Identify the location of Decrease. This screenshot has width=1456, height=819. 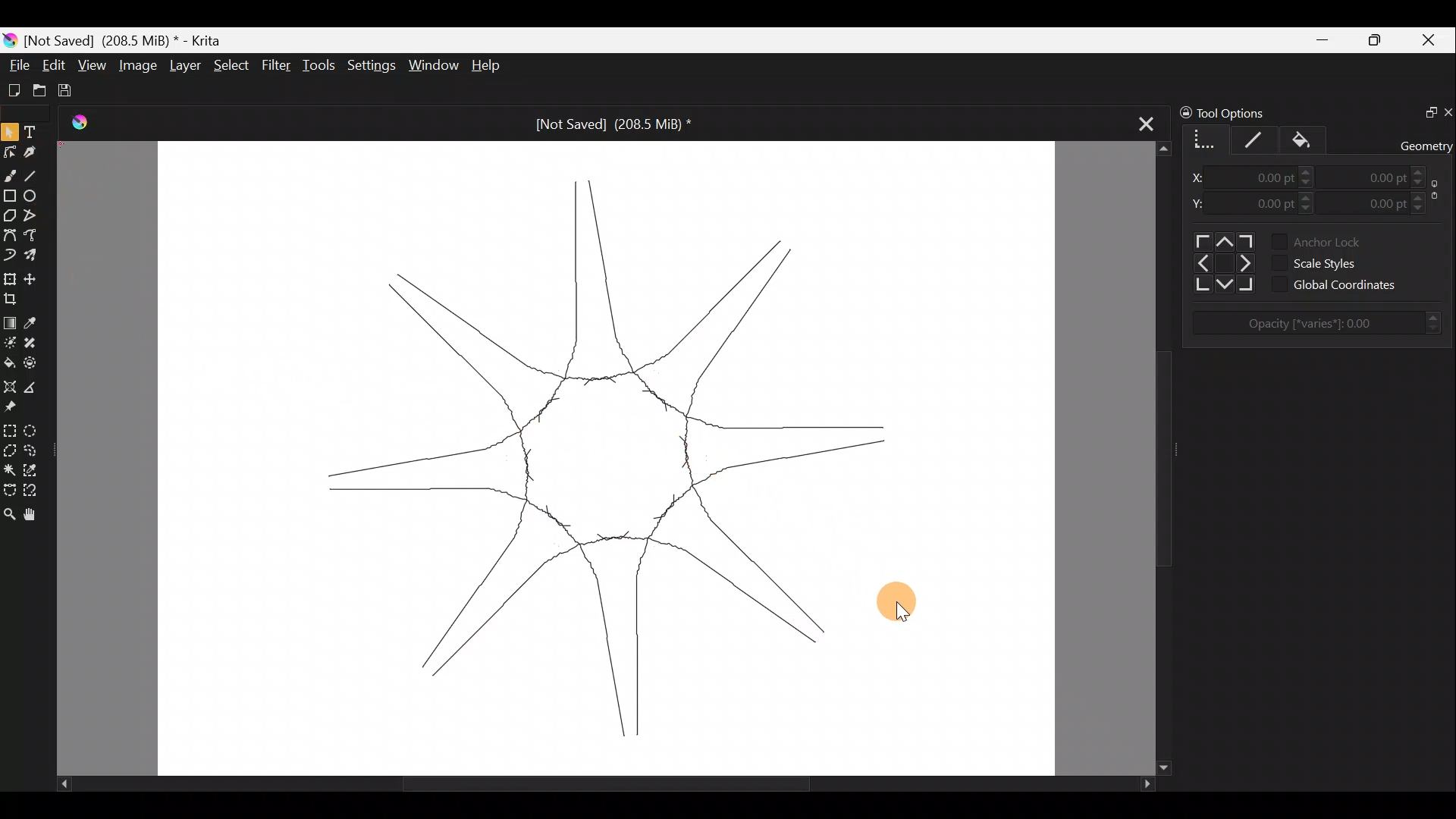
(1309, 184).